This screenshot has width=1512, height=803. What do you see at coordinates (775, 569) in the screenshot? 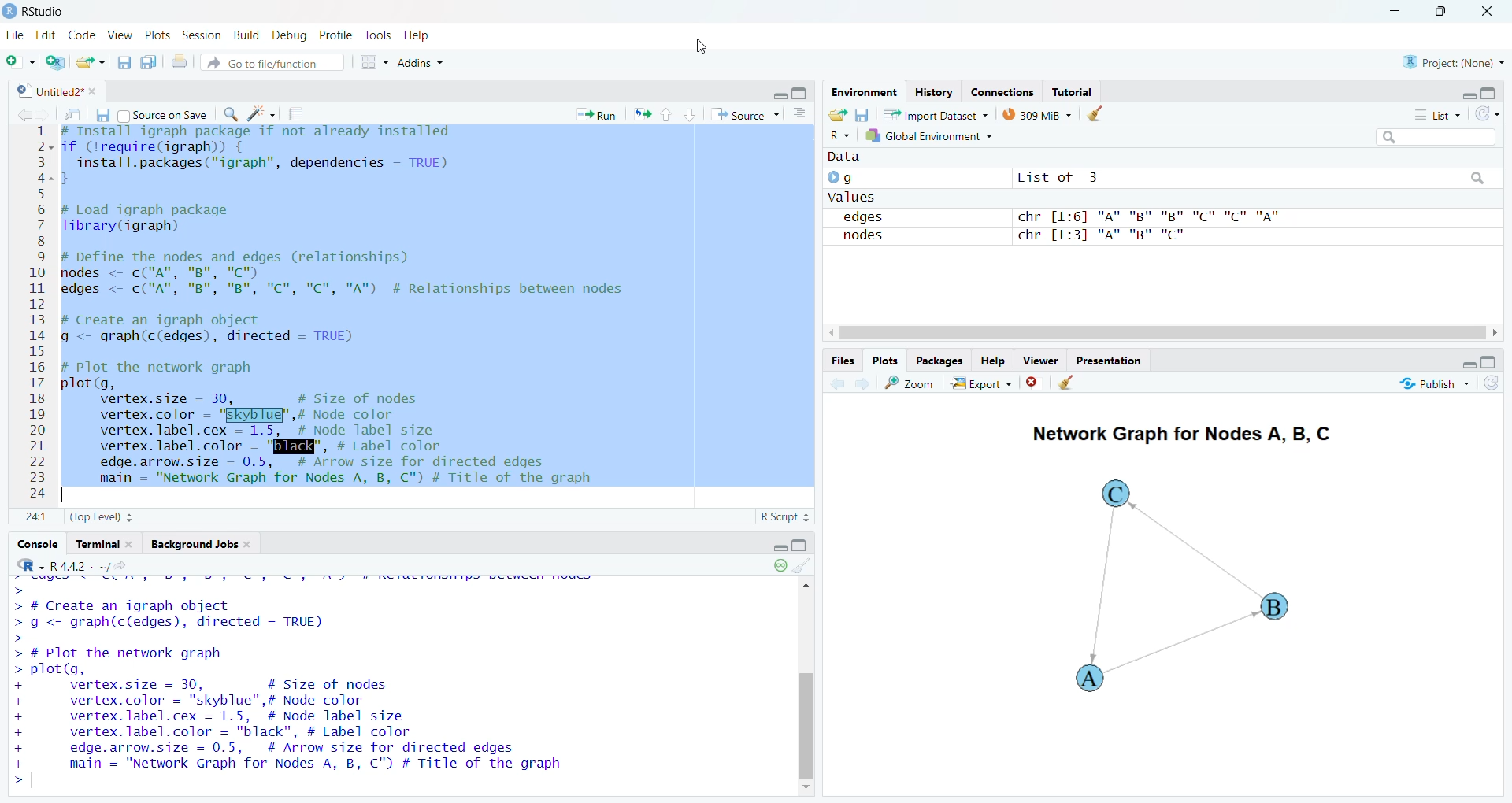
I see `loop` at bounding box center [775, 569].